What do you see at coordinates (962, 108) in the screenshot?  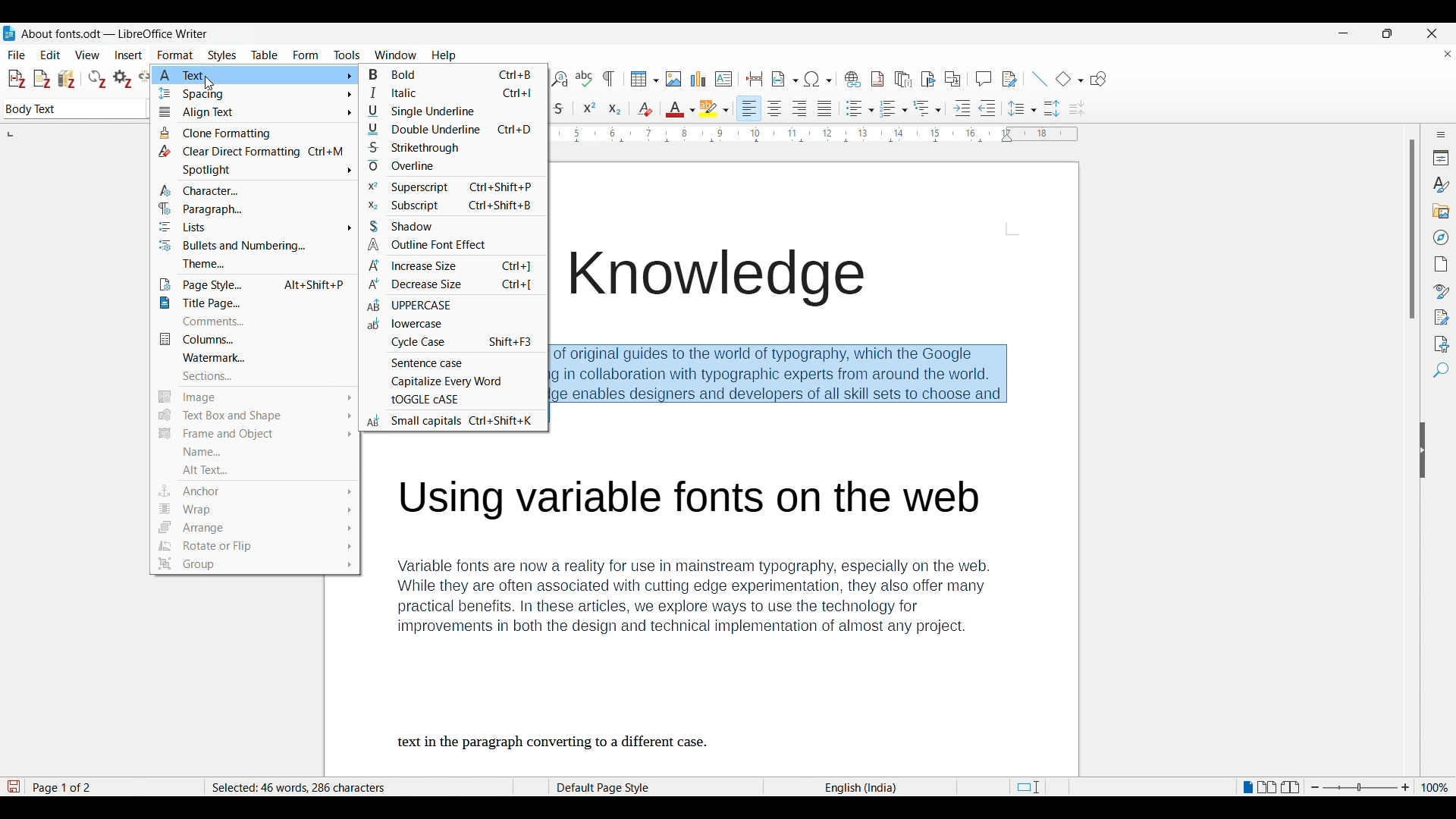 I see `Increase indent` at bounding box center [962, 108].